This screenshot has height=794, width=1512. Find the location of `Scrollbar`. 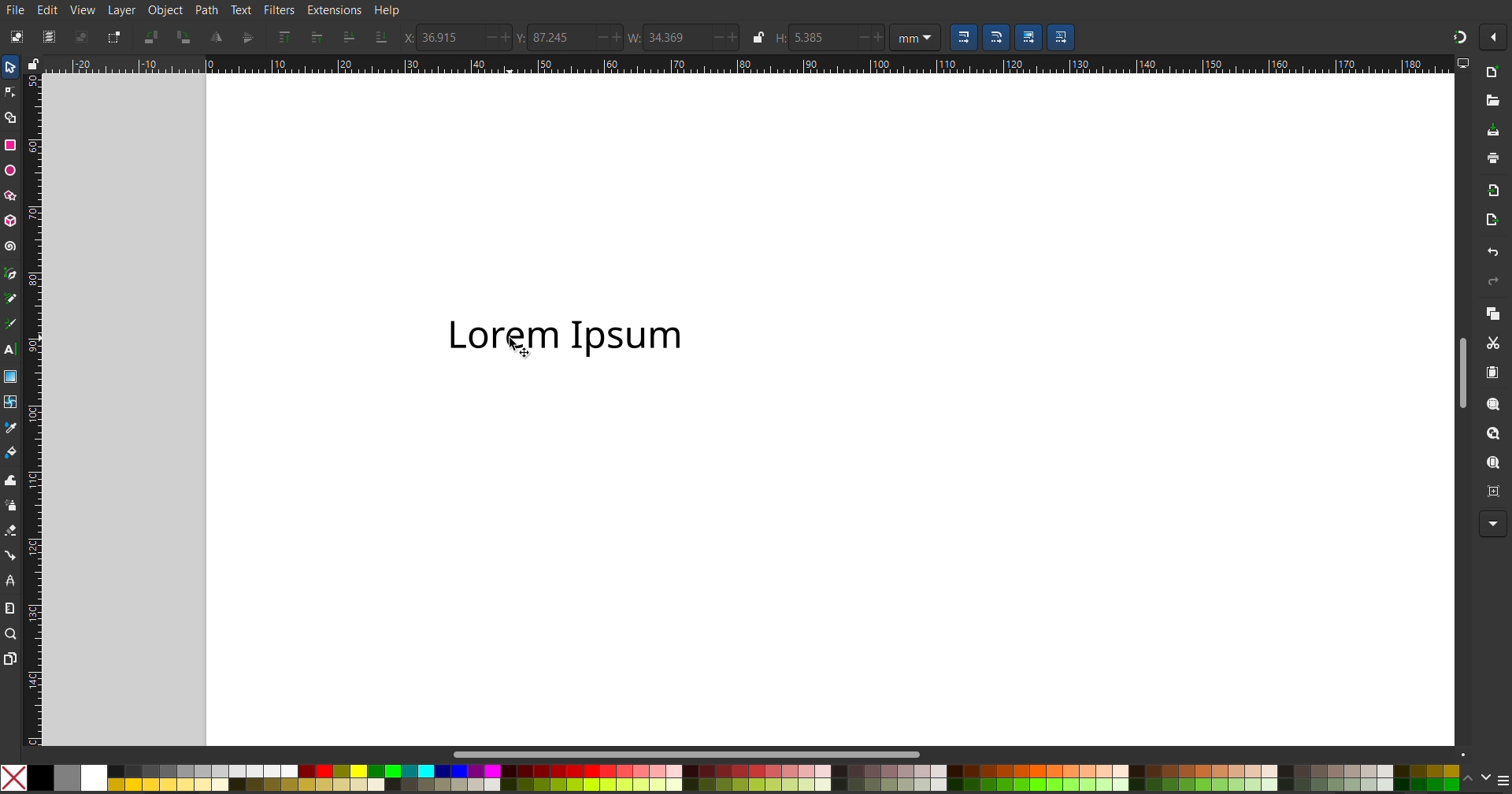

Scrollbar is located at coordinates (691, 753).